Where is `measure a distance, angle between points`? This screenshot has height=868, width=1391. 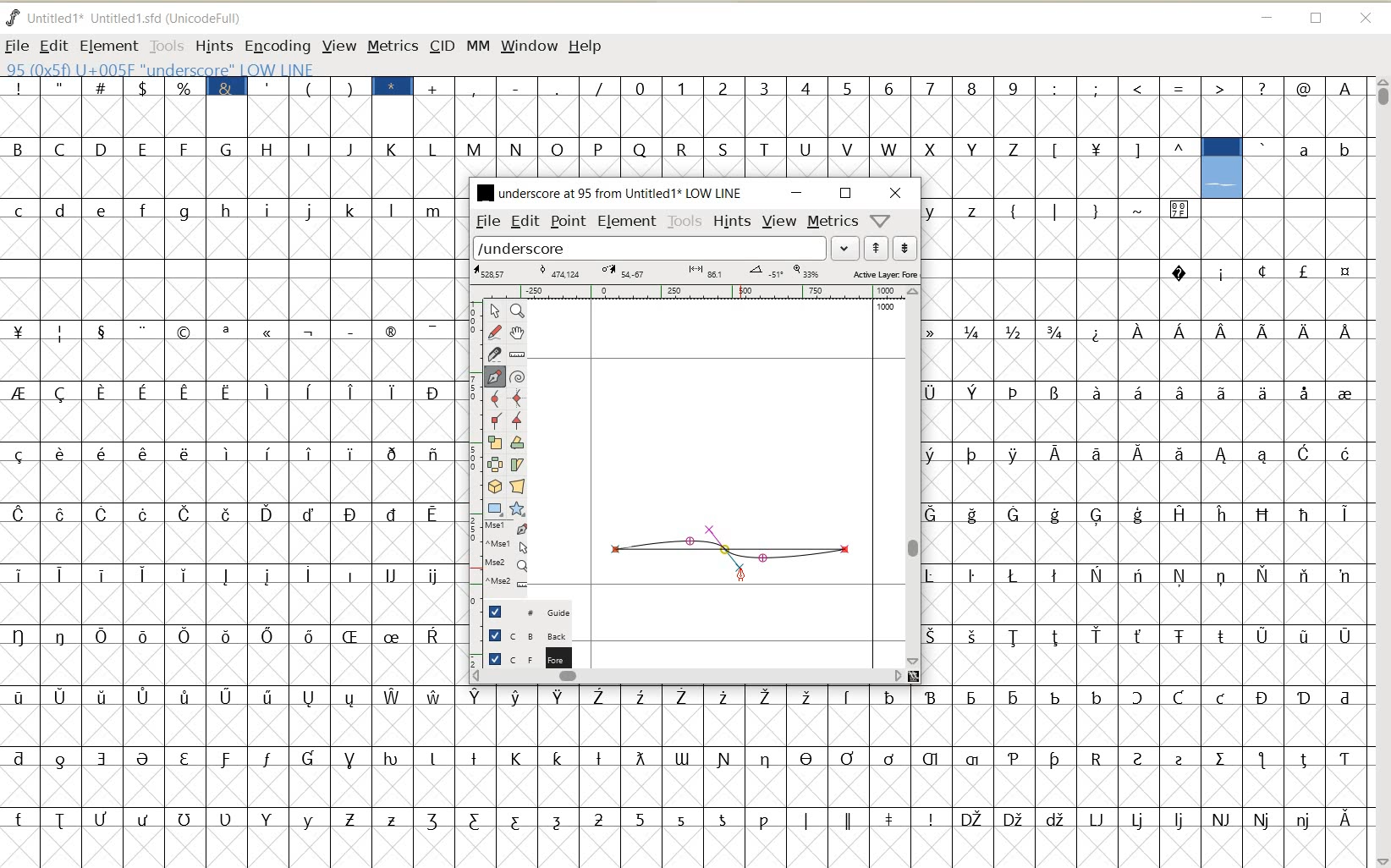
measure a distance, angle between points is located at coordinates (518, 354).